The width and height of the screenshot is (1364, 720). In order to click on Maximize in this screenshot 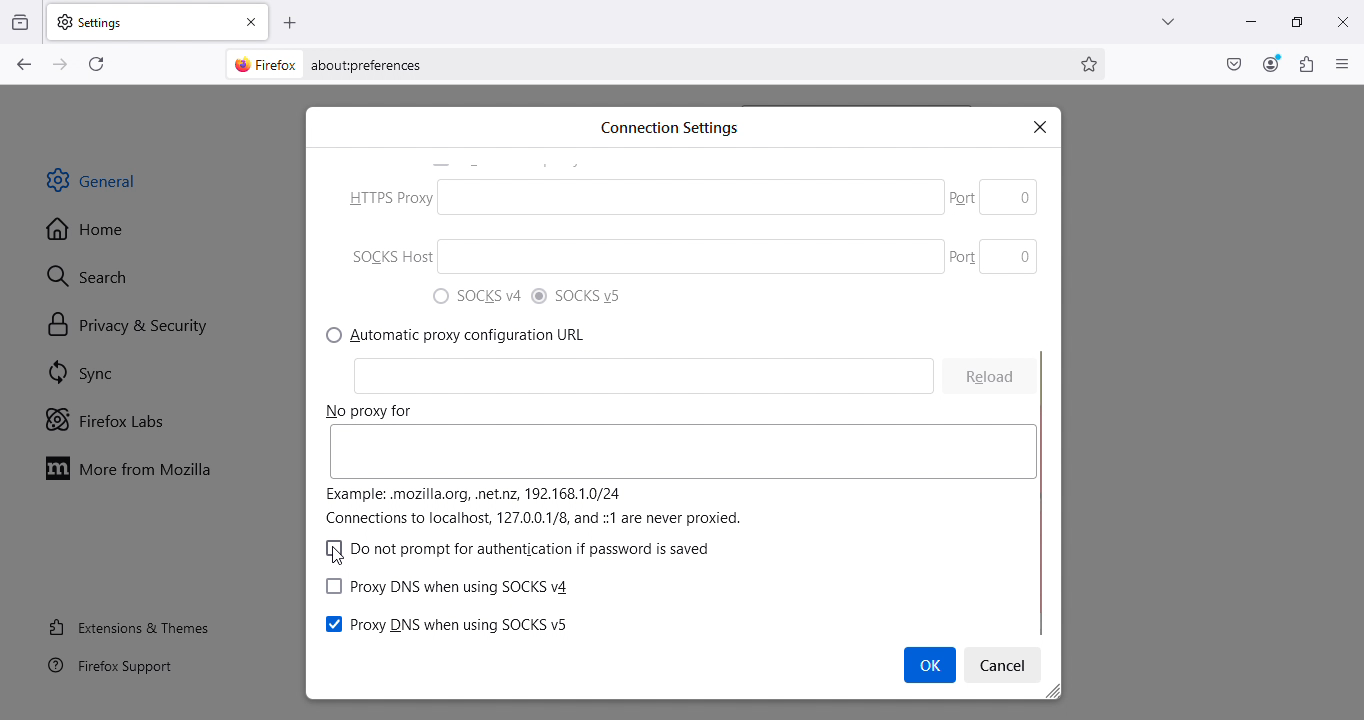, I will do `click(1294, 20)`.